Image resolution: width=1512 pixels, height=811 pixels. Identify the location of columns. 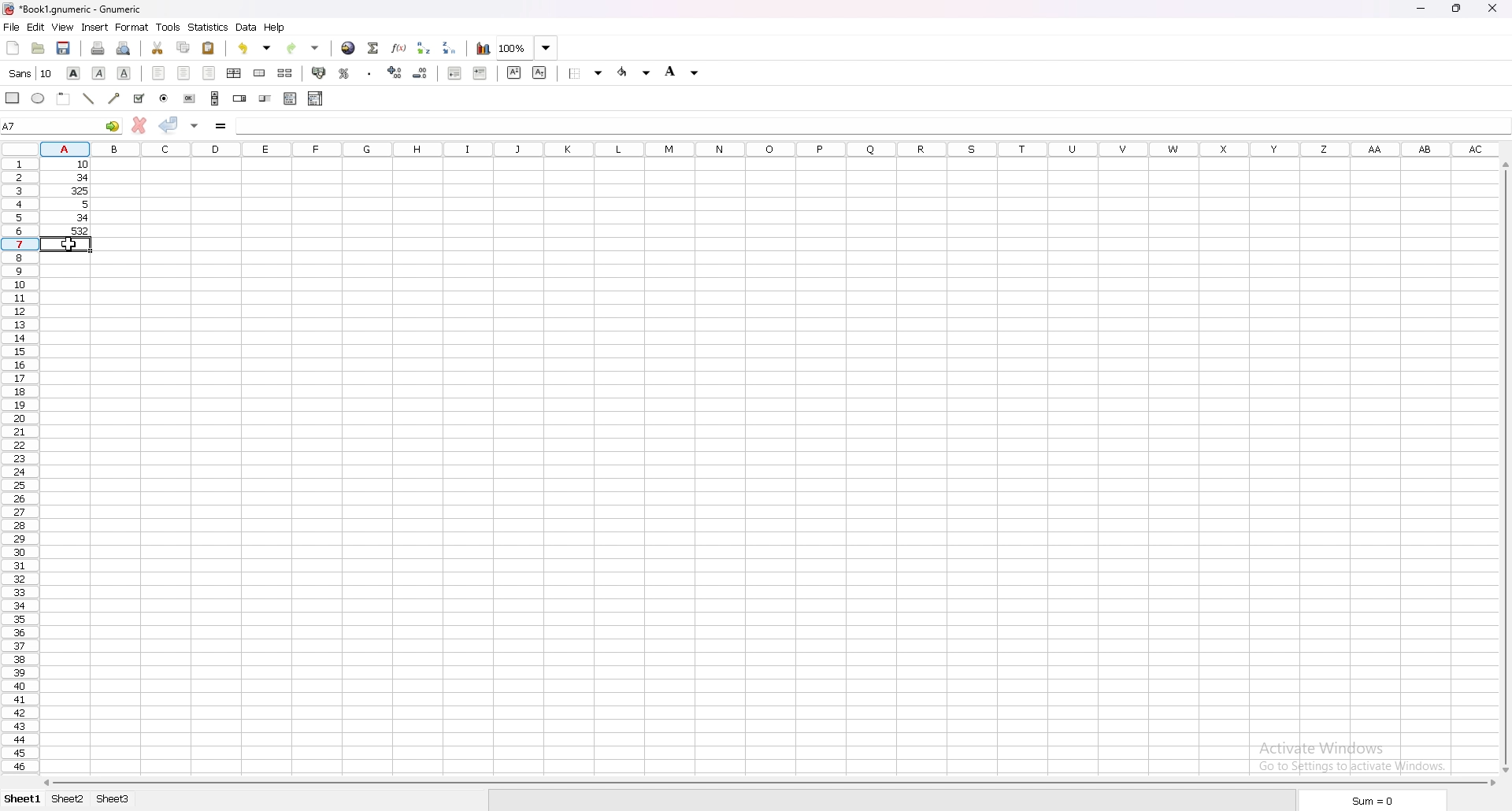
(771, 150).